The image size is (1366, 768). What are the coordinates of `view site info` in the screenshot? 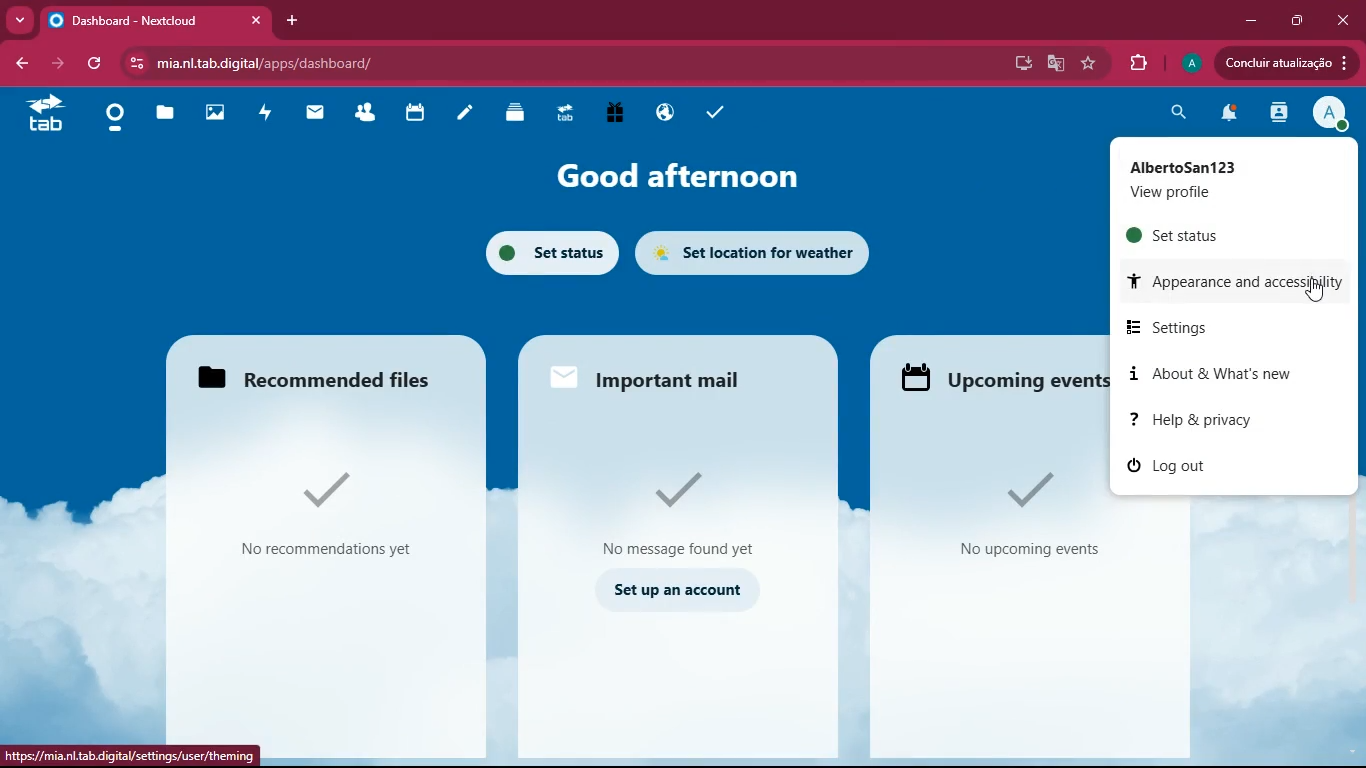 It's located at (136, 62).